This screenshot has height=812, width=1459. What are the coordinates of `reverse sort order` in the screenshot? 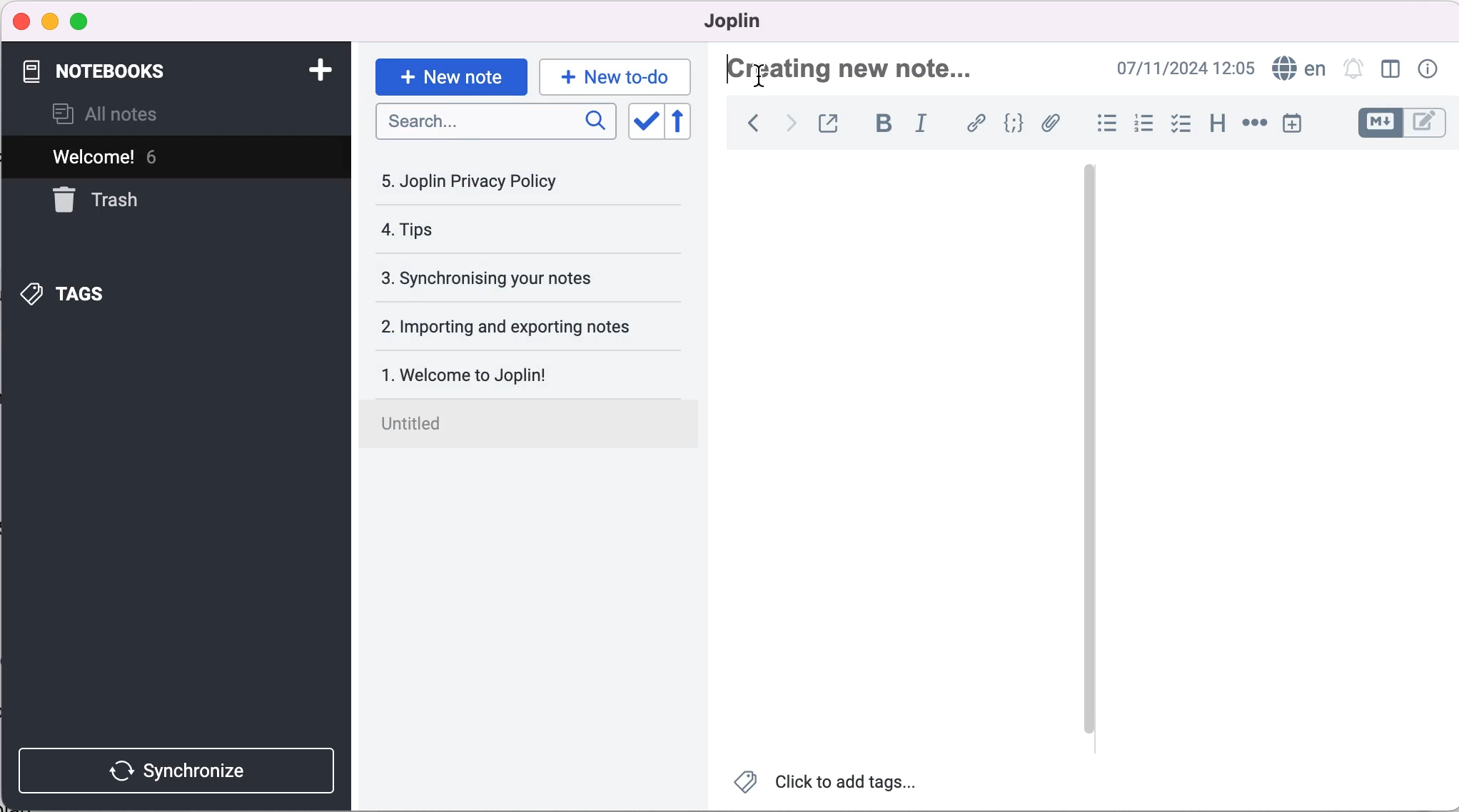 It's located at (684, 123).